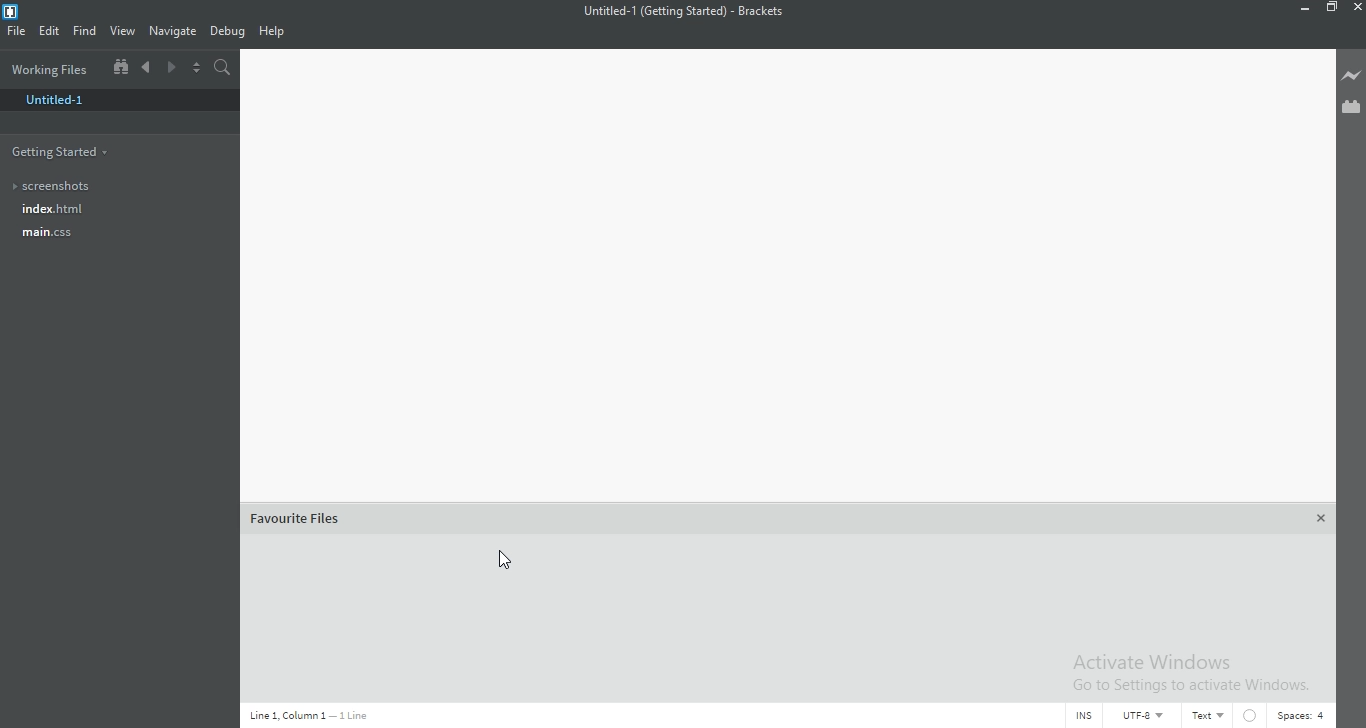  Describe the element at coordinates (690, 10) in the screenshot. I see `file name` at that location.